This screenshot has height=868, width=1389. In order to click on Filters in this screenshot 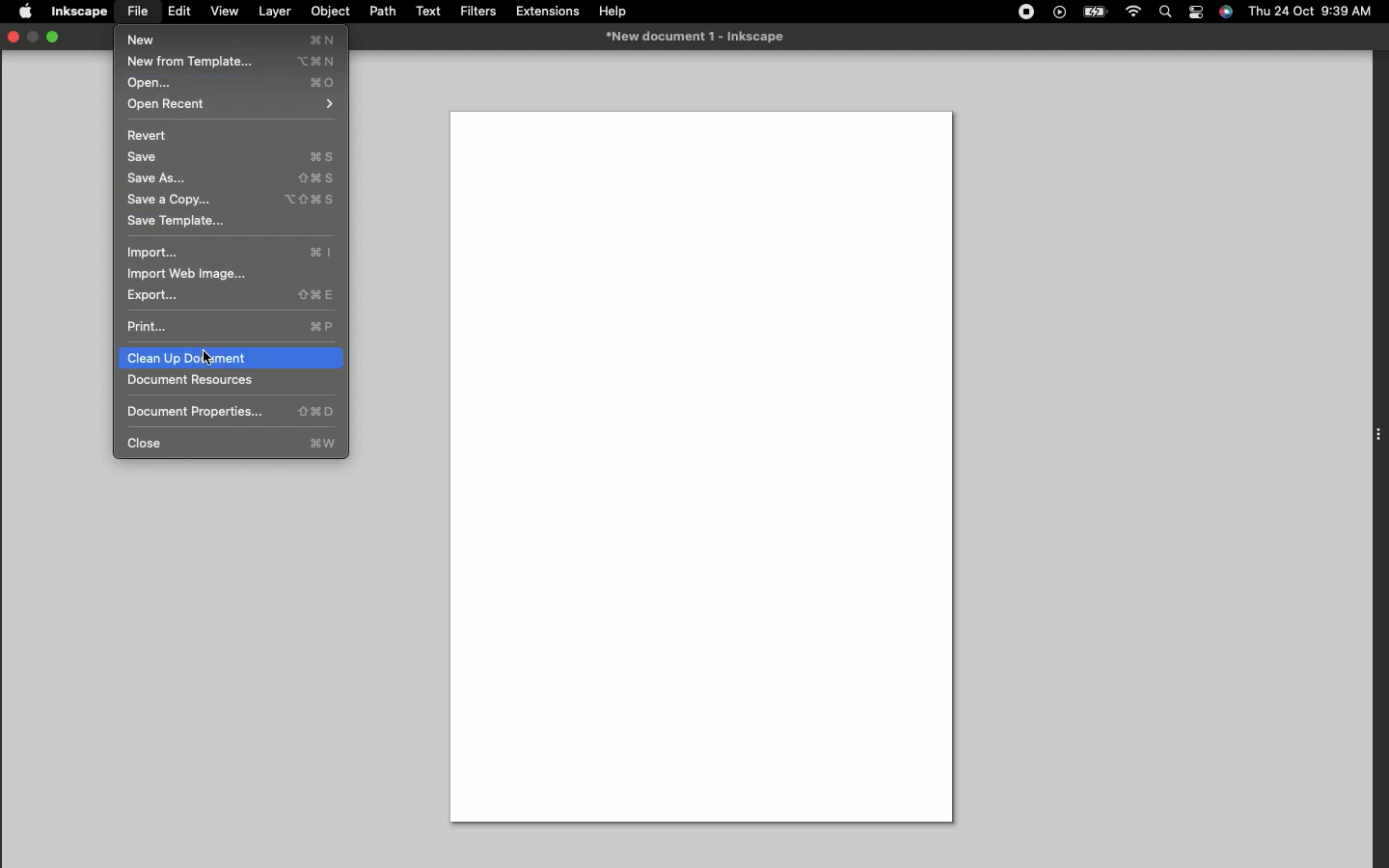, I will do `click(478, 12)`.